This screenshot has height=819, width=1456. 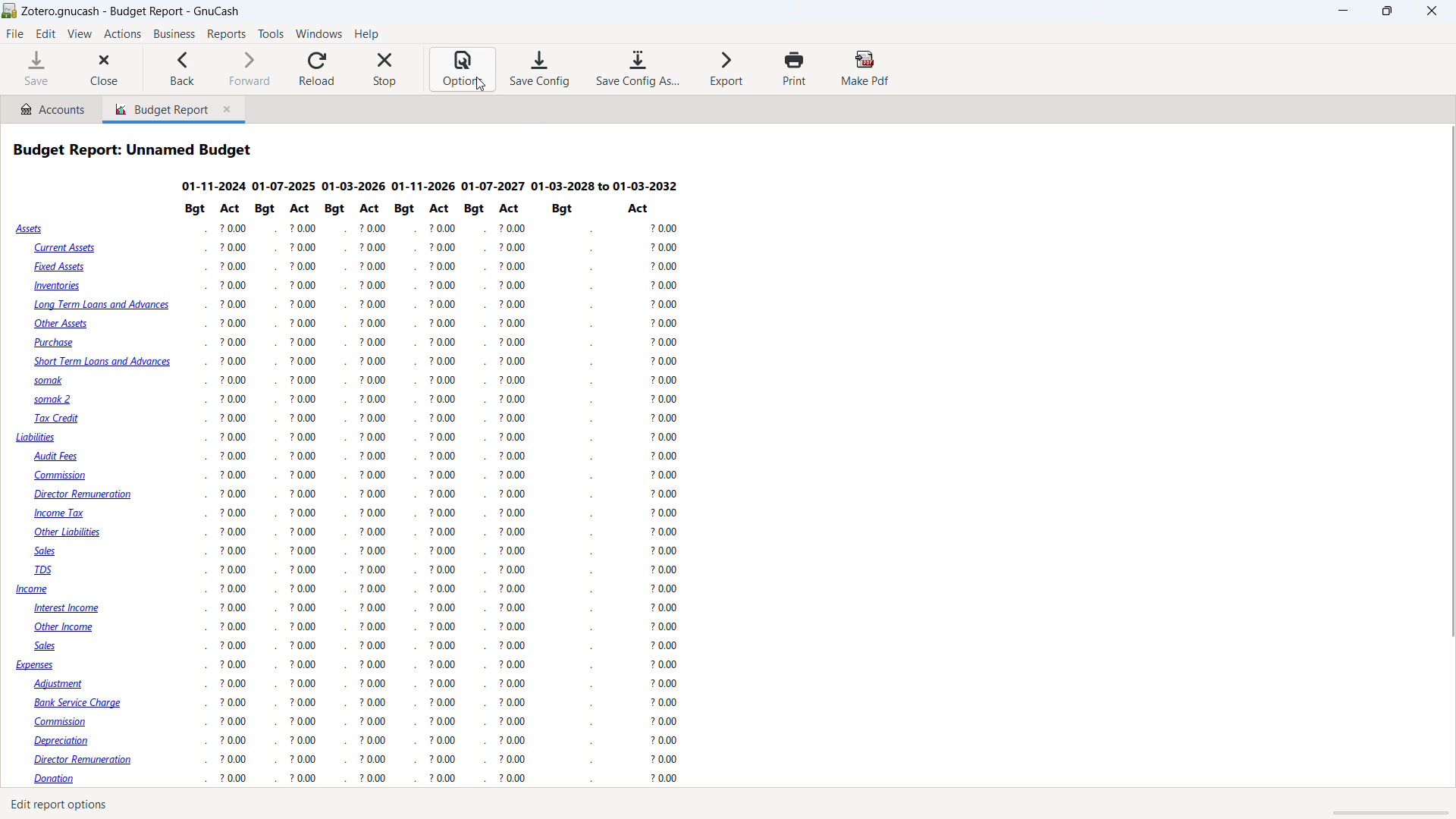 What do you see at coordinates (36, 69) in the screenshot?
I see `save` at bounding box center [36, 69].